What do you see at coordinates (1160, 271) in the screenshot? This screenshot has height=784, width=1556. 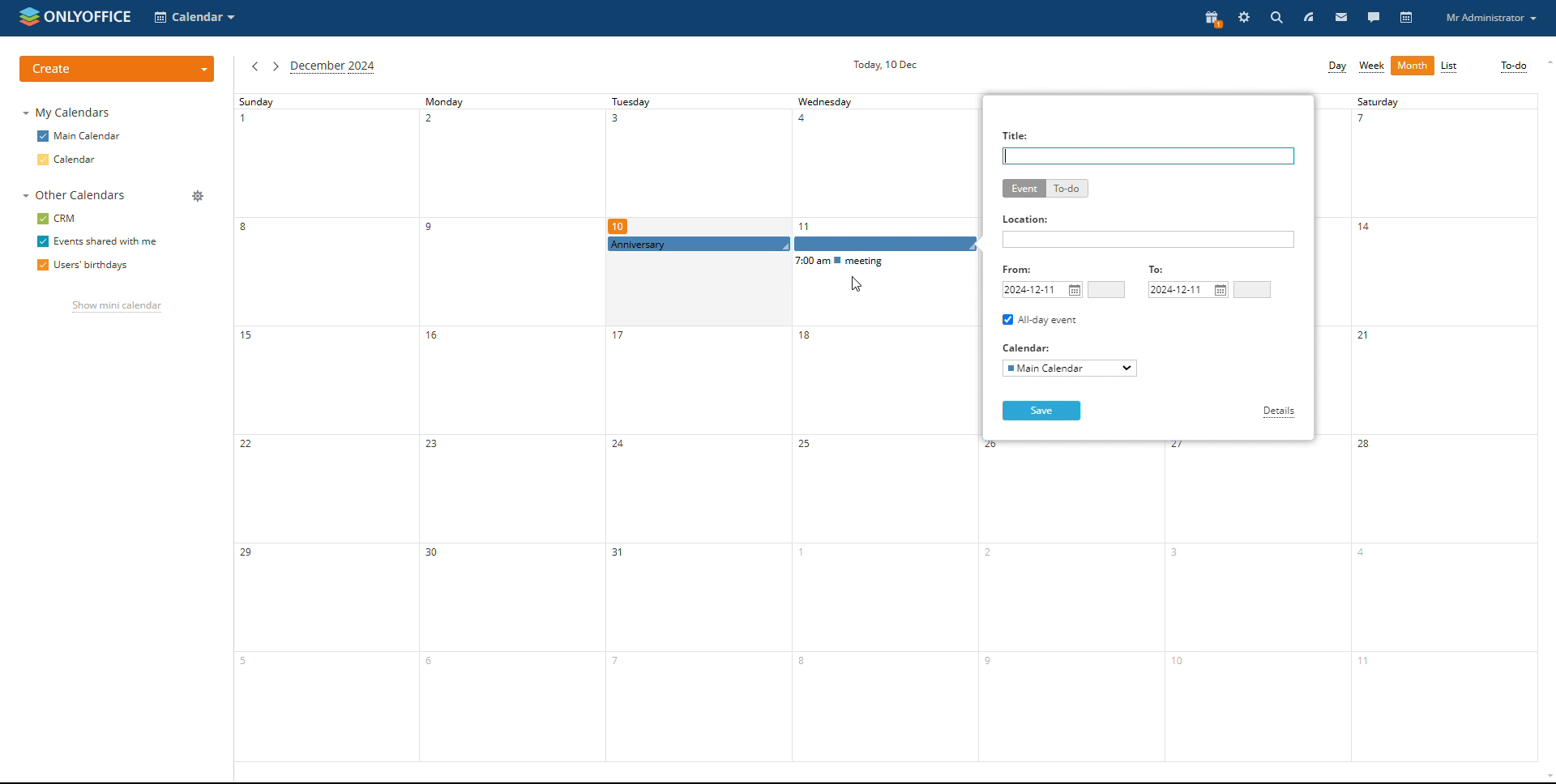 I see `To:` at bounding box center [1160, 271].